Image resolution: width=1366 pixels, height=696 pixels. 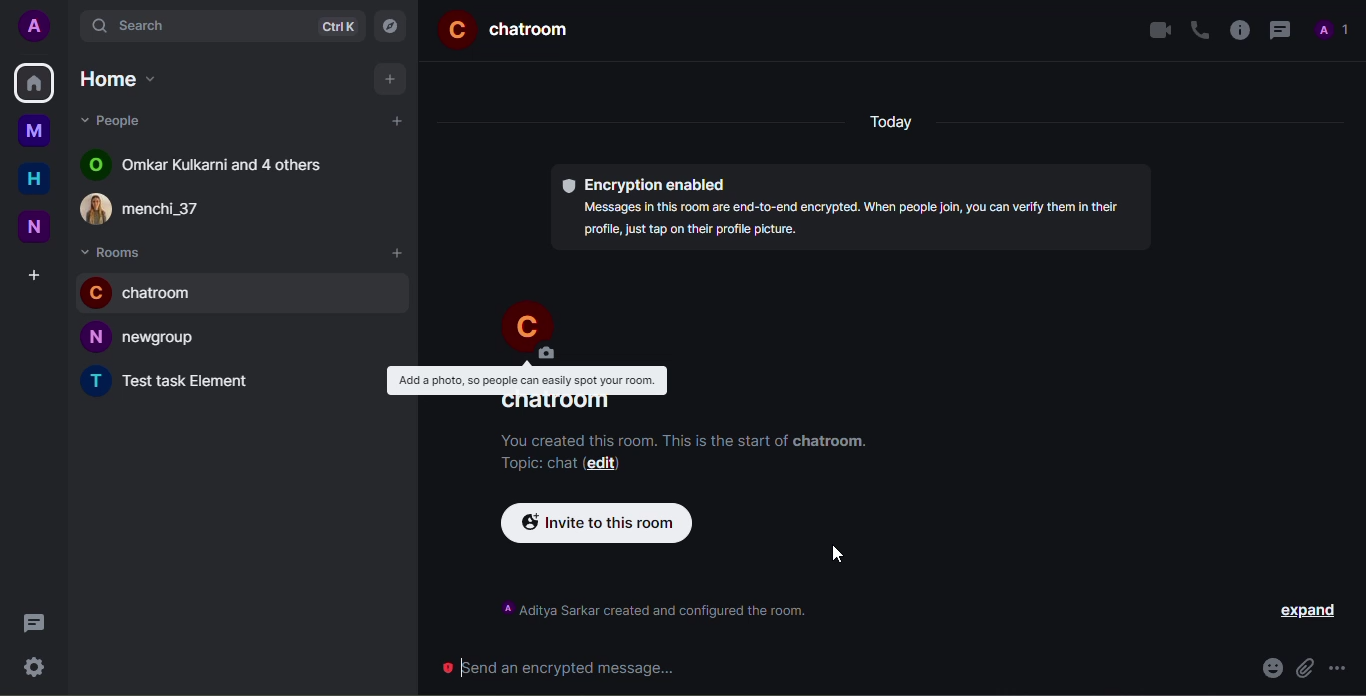 I want to click on add a photo so people can easily spot your room, so click(x=530, y=378).